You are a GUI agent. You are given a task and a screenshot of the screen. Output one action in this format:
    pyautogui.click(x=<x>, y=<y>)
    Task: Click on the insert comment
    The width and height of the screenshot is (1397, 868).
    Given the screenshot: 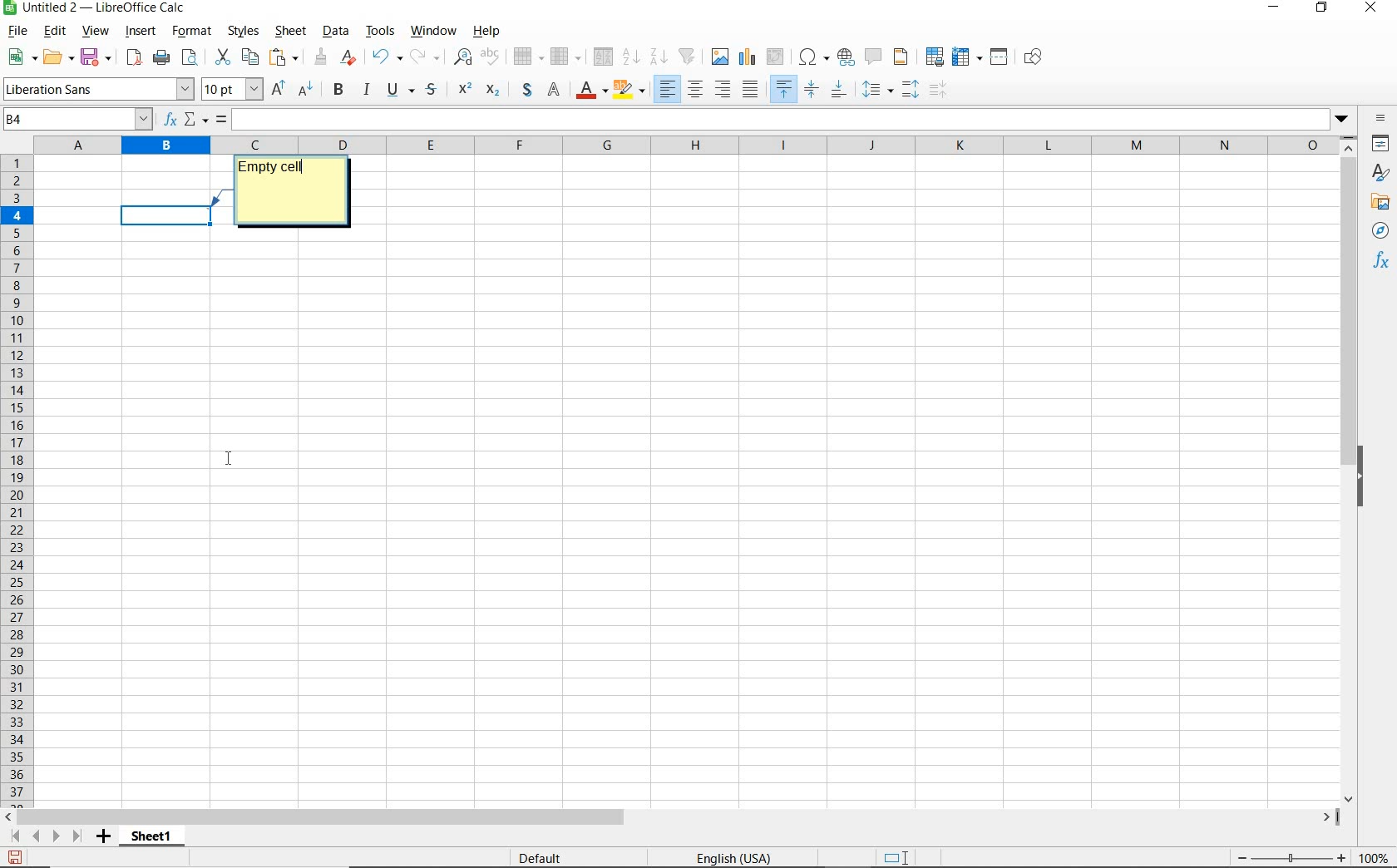 What is the action you would take?
    pyautogui.click(x=874, y=57)
    